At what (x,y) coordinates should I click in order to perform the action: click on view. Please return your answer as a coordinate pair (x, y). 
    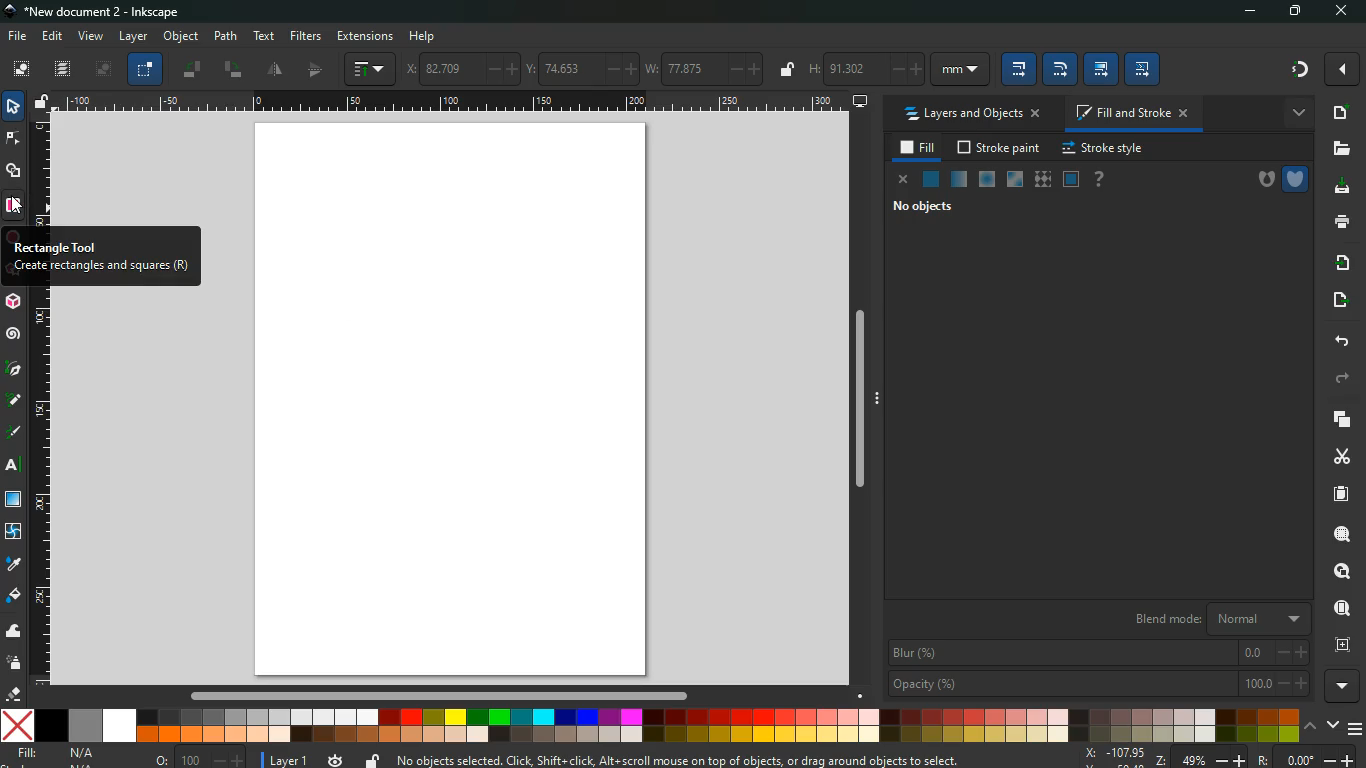
    Looking at the image, I should click on (90, 35).